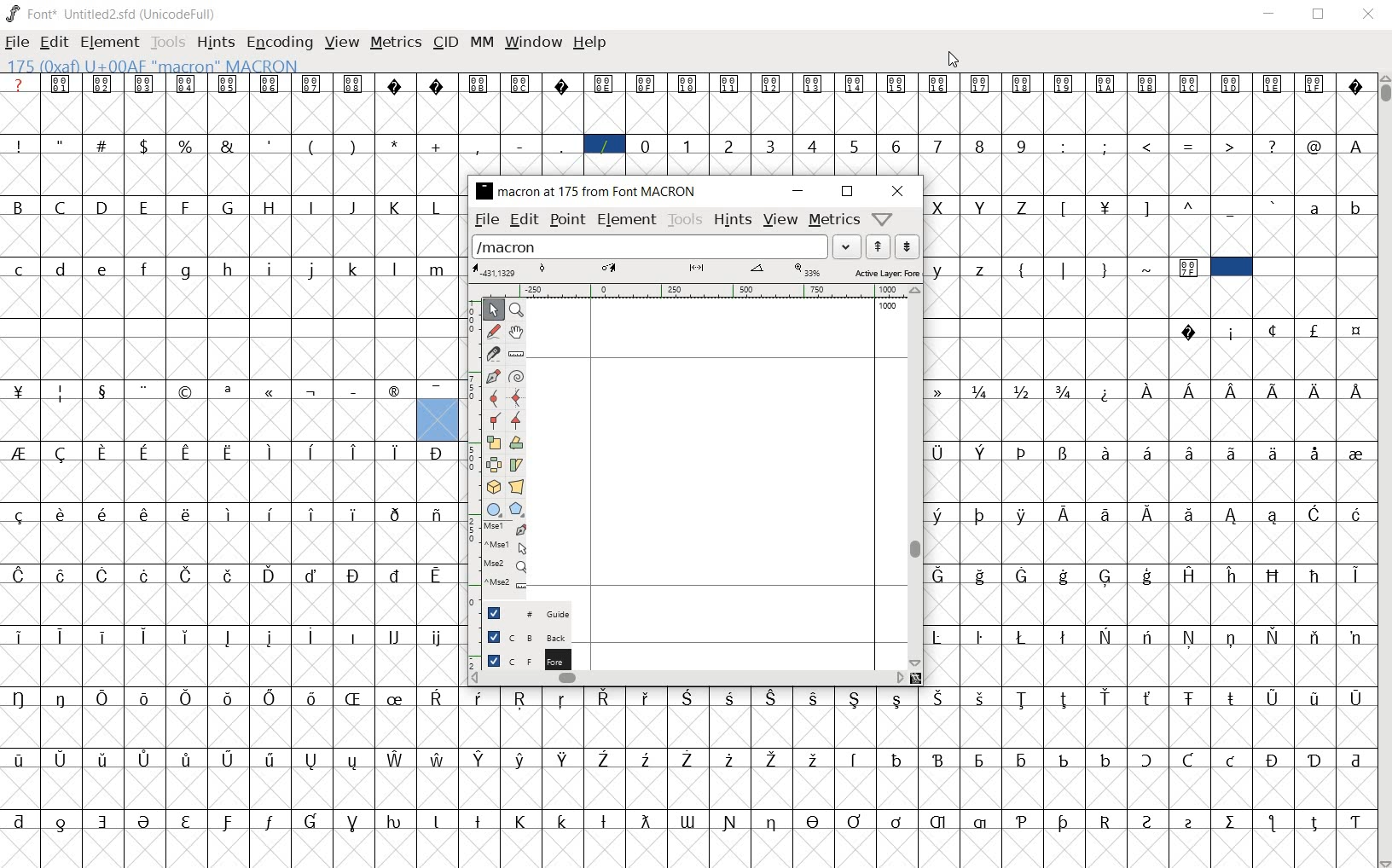  I want to click on -, so click(519, 145).